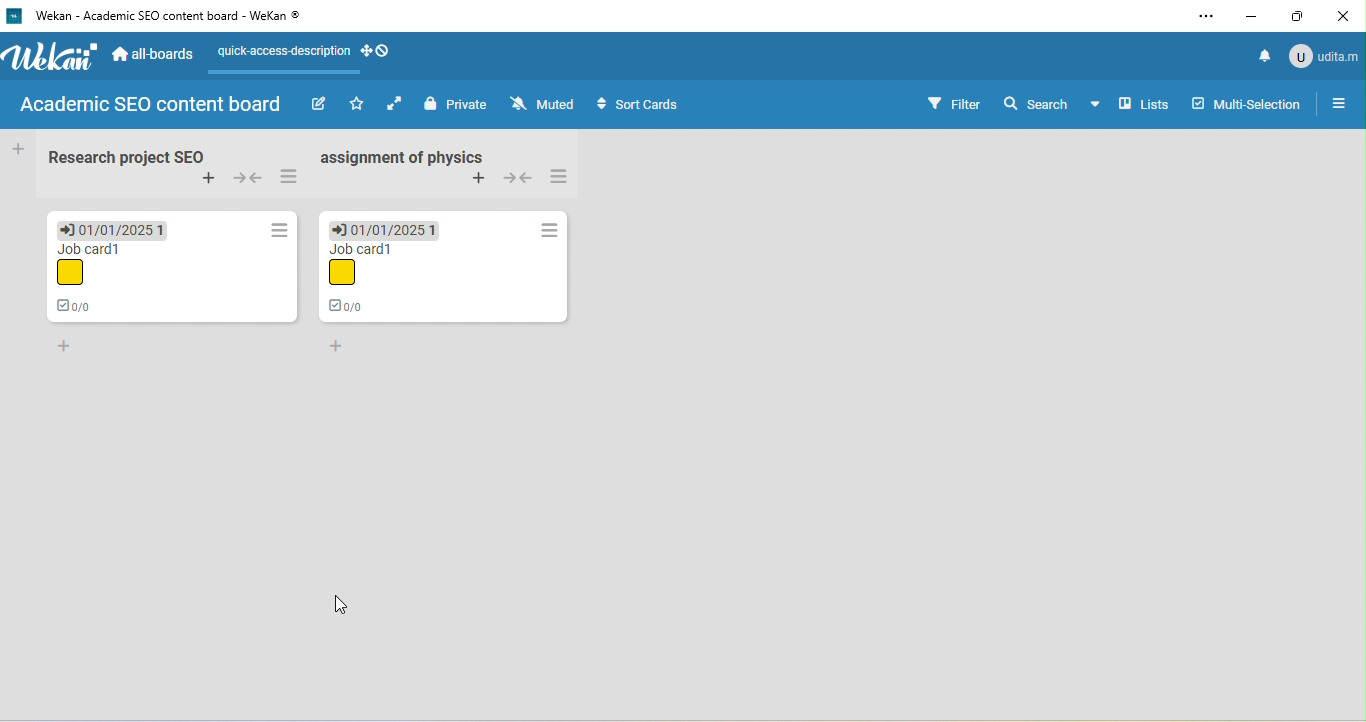 The image size is (1366, 722). Describe the element at coordinates (478, 179) in the screenshot. I see `add` at that location.